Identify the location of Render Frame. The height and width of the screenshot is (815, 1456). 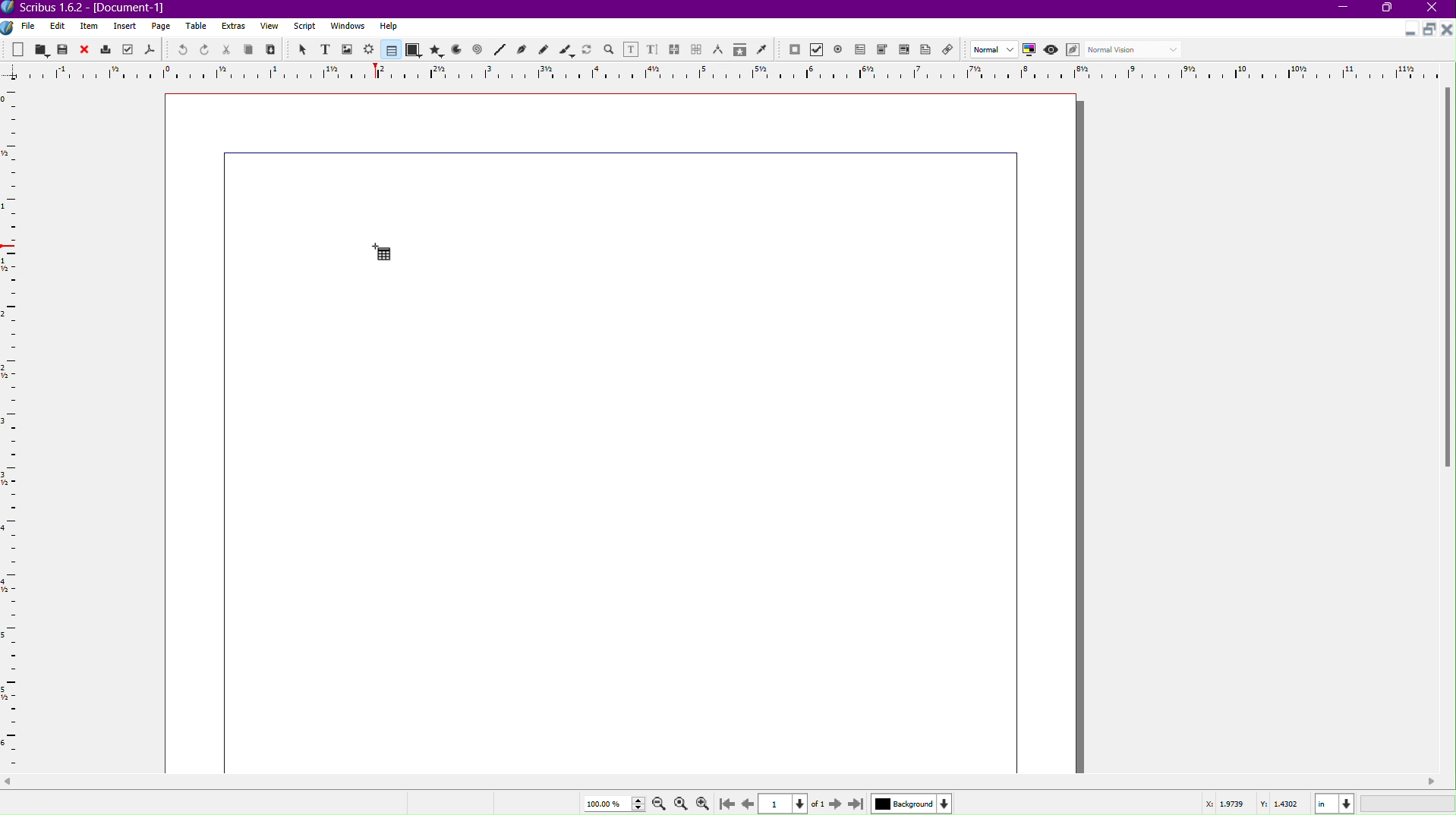
(370, 49).